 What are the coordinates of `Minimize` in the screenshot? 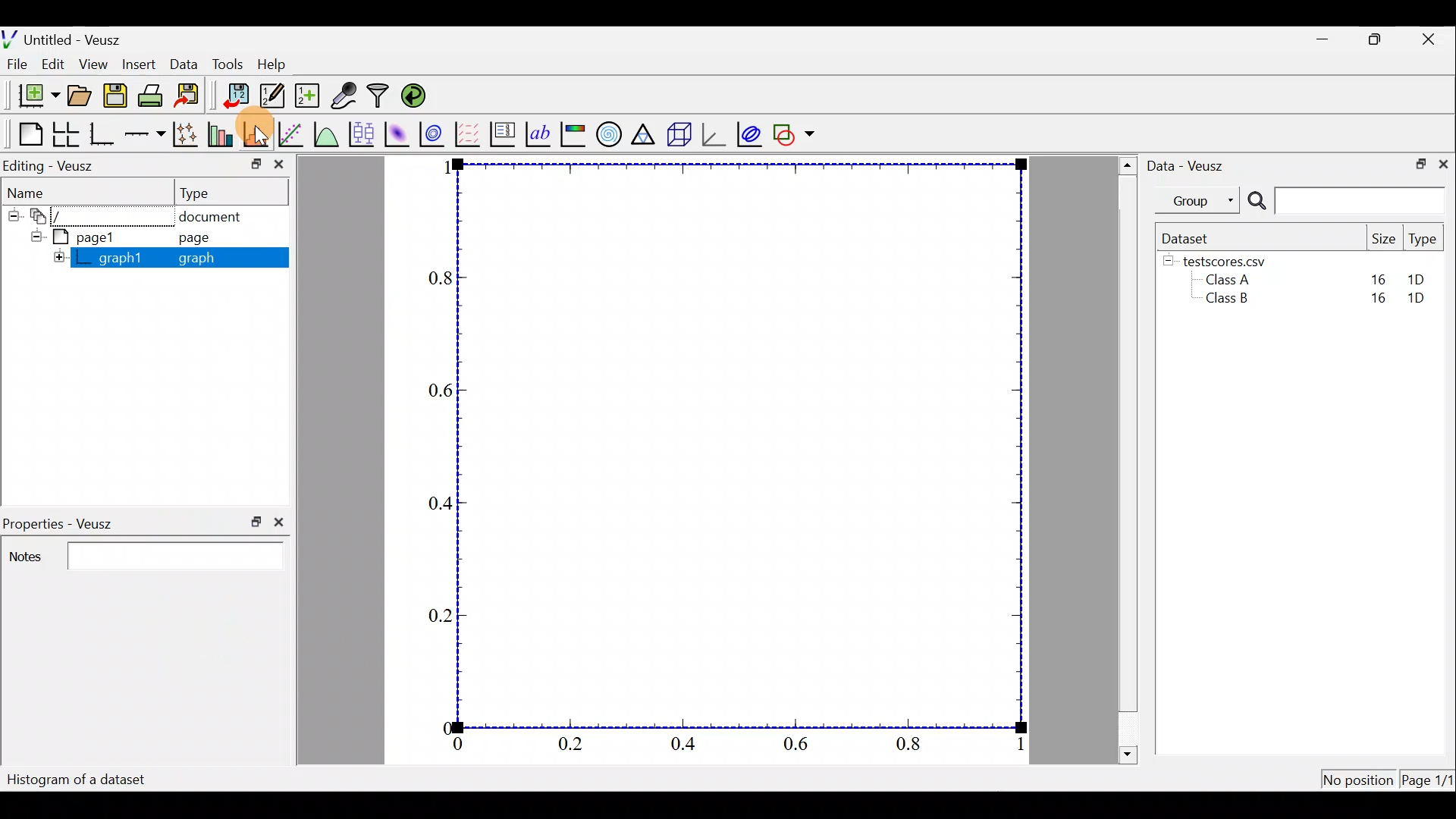 It's located at (1323, 39).